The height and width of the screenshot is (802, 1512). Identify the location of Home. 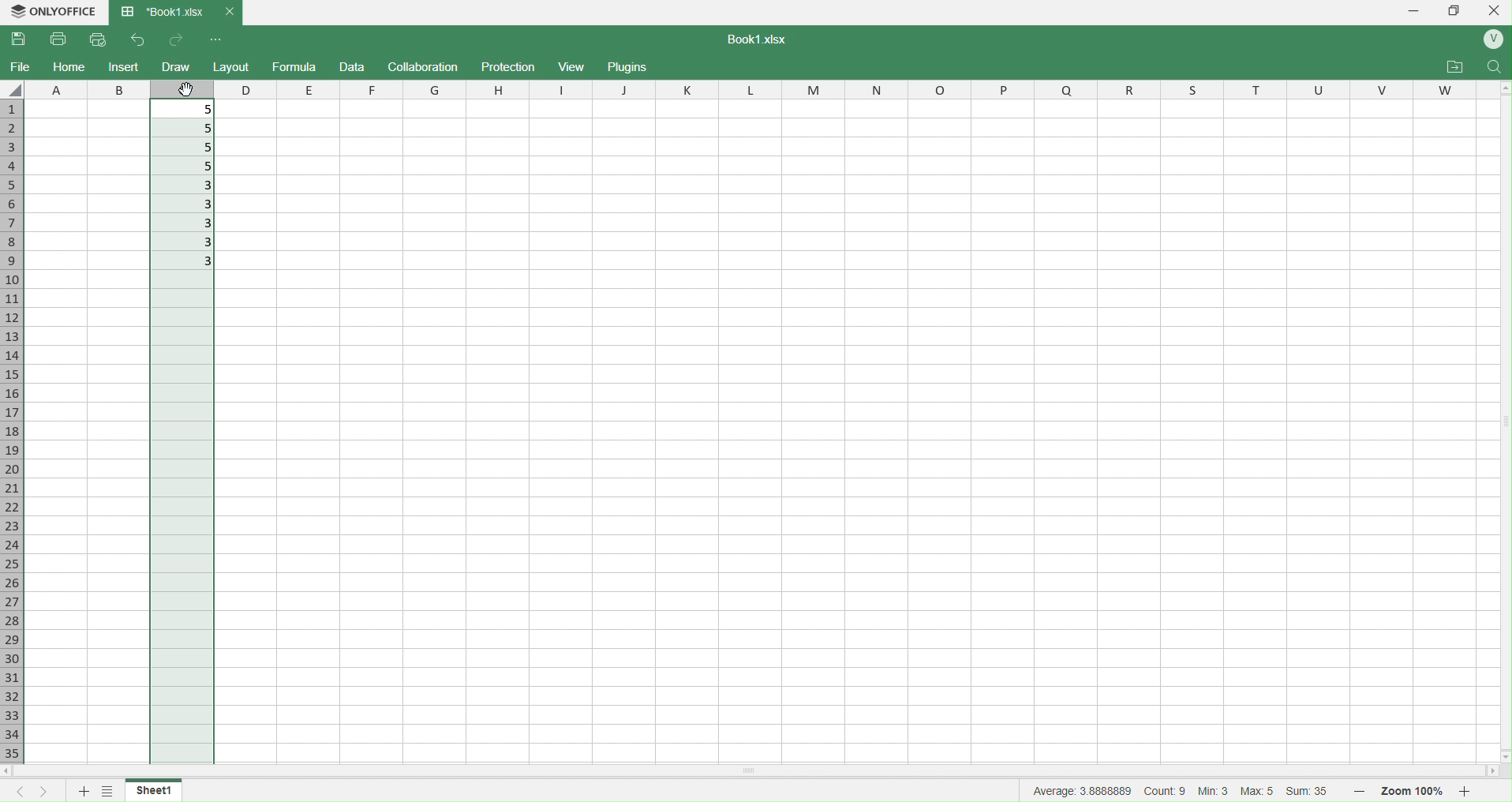
(69, 67).